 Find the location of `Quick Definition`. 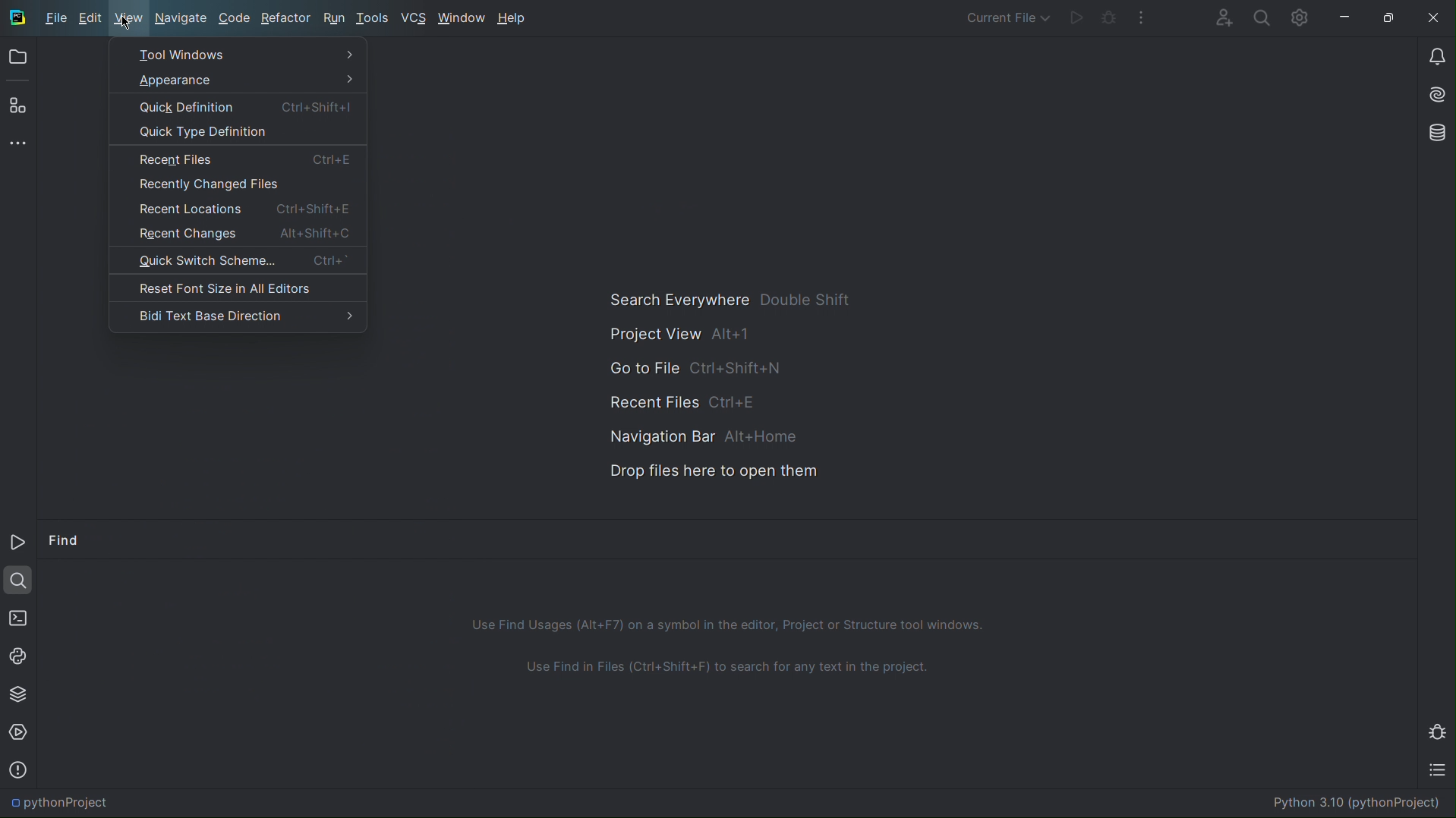

Quick Definition is located at coordinates (239, 108).